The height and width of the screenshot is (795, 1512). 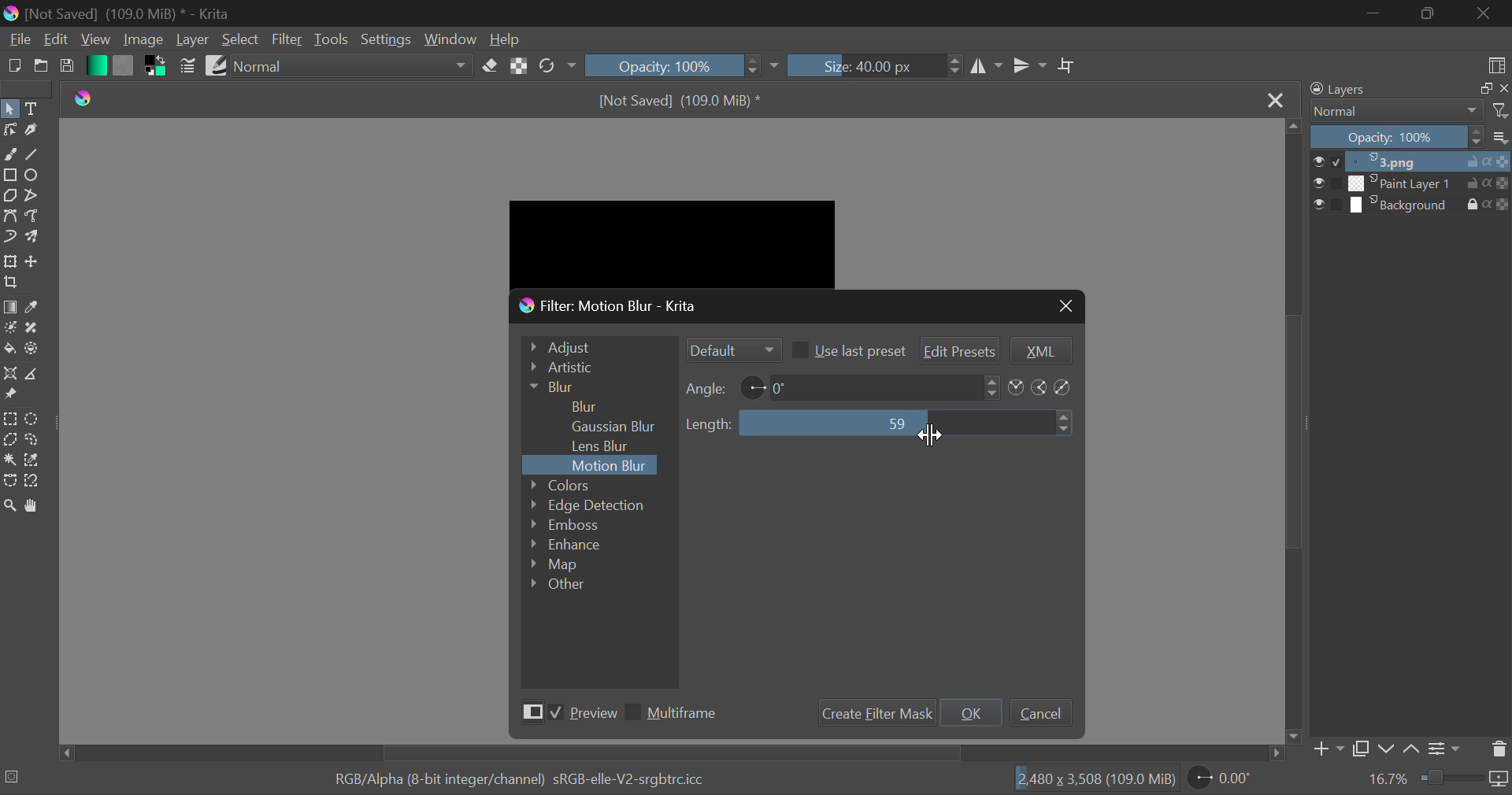 What do you see at coordinates (193, 39) in the screenshot?
I see `Layer` at bounding box center [193, 39].